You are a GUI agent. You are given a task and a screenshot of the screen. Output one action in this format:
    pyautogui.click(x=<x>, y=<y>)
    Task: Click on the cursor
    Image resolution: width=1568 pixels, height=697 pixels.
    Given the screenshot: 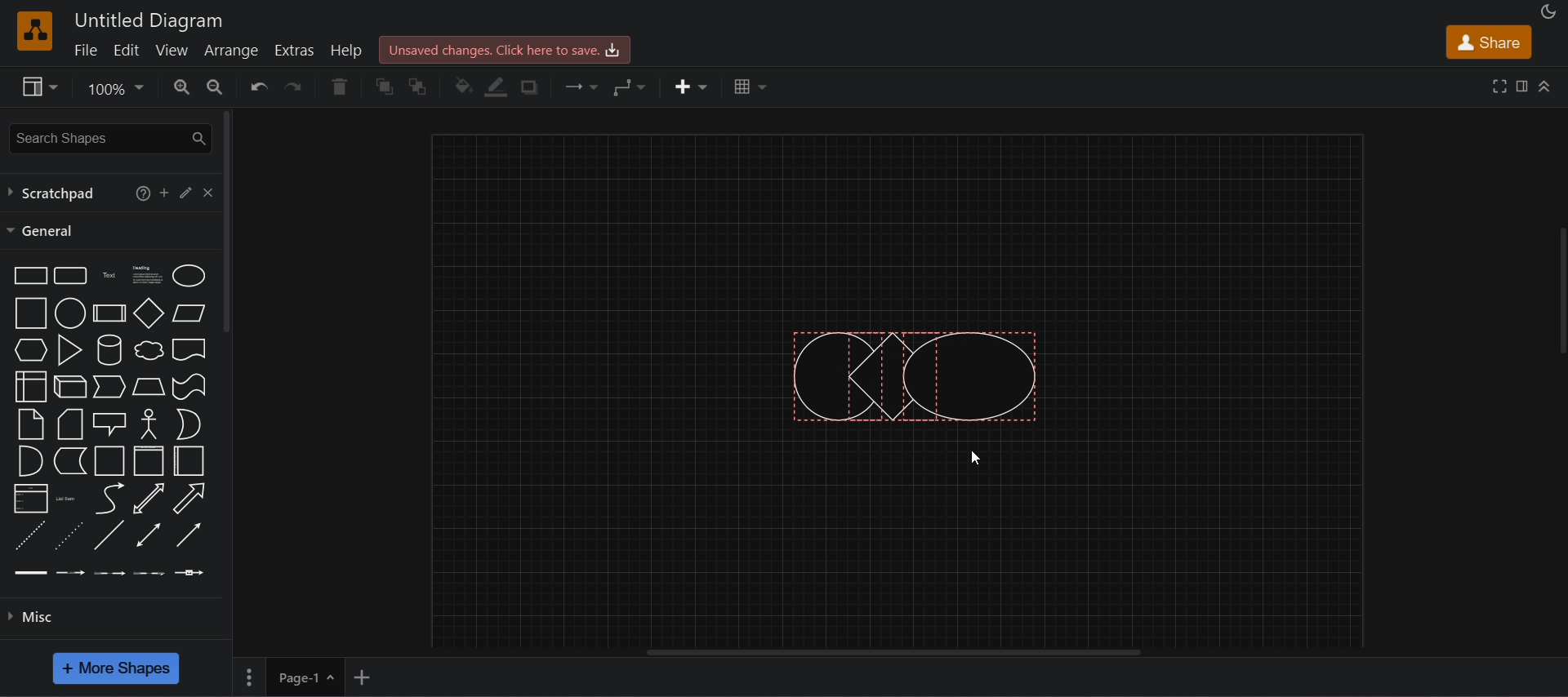 What is the action you would take?
    pyautogui.click(x=977, y=459)
    